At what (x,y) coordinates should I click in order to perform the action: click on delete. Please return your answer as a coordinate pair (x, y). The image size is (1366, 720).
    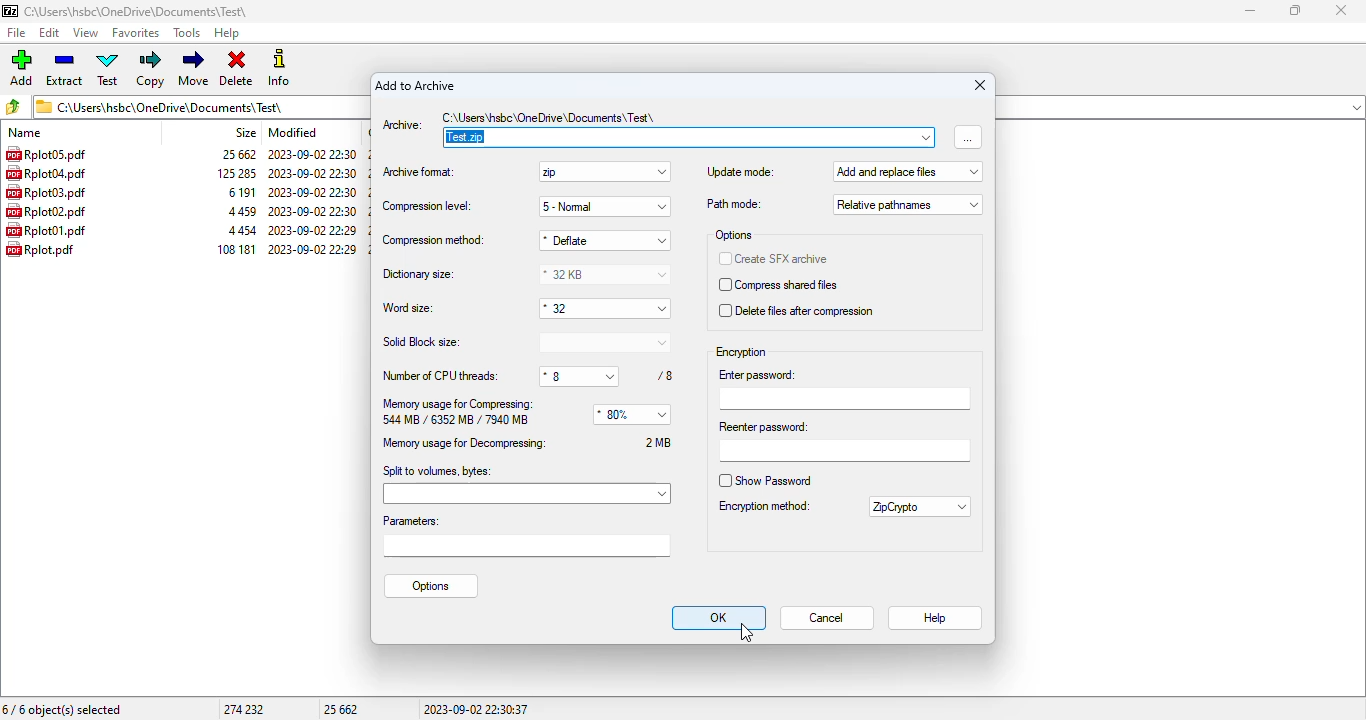
    Looking at the image, I should click on (238, 69).